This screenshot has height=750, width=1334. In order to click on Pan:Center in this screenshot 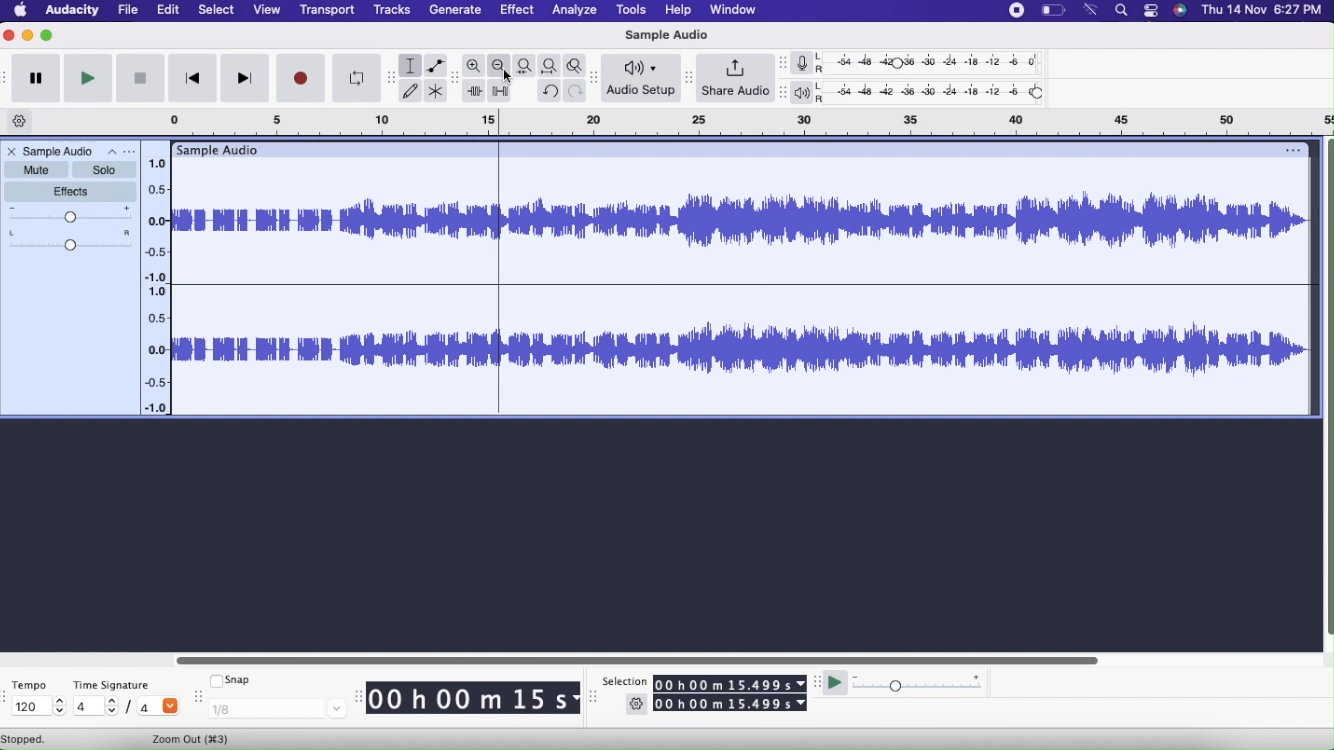, I will do `click(71, 243)`.